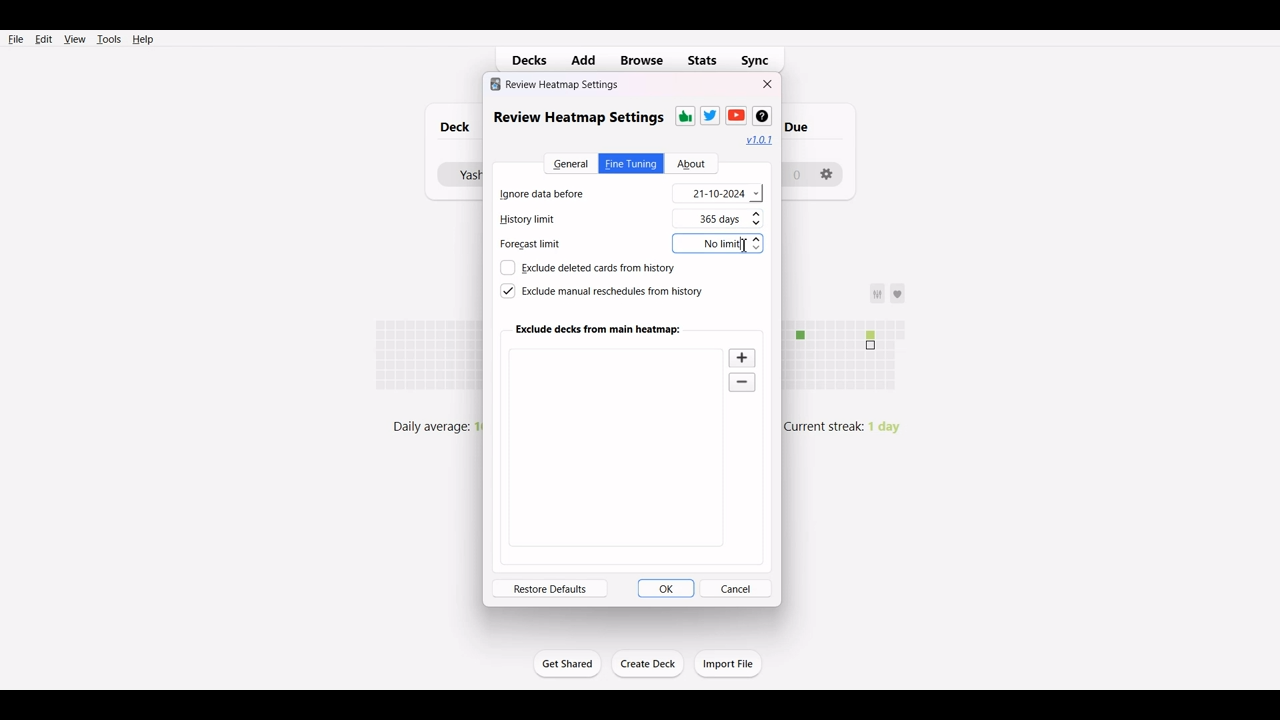  I want to click on OK, so click(666, 588).